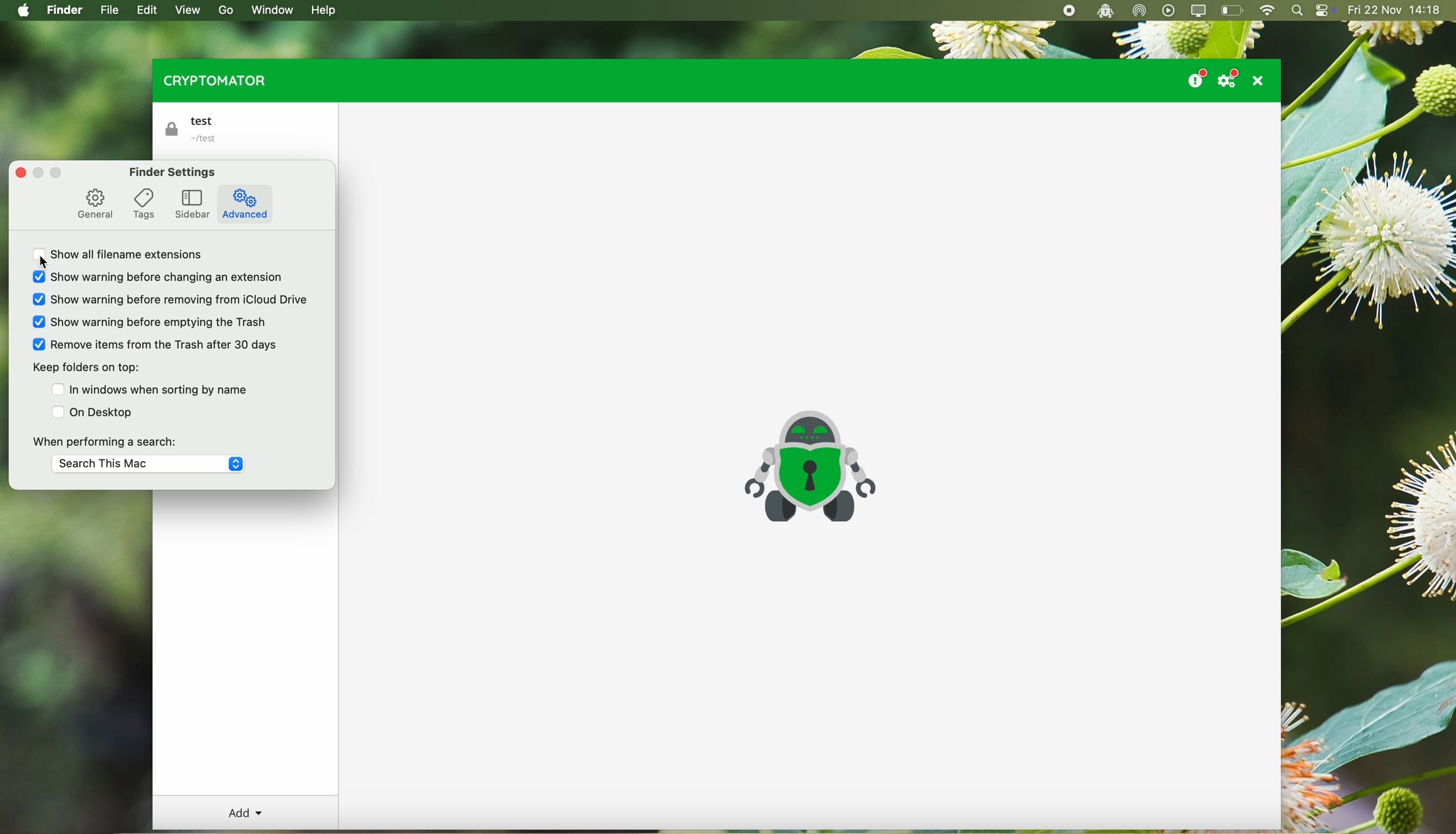 The image size is (1456, 834). Describe the element at coordinates (246, 813) in the screenshot. I see `add` at that location.